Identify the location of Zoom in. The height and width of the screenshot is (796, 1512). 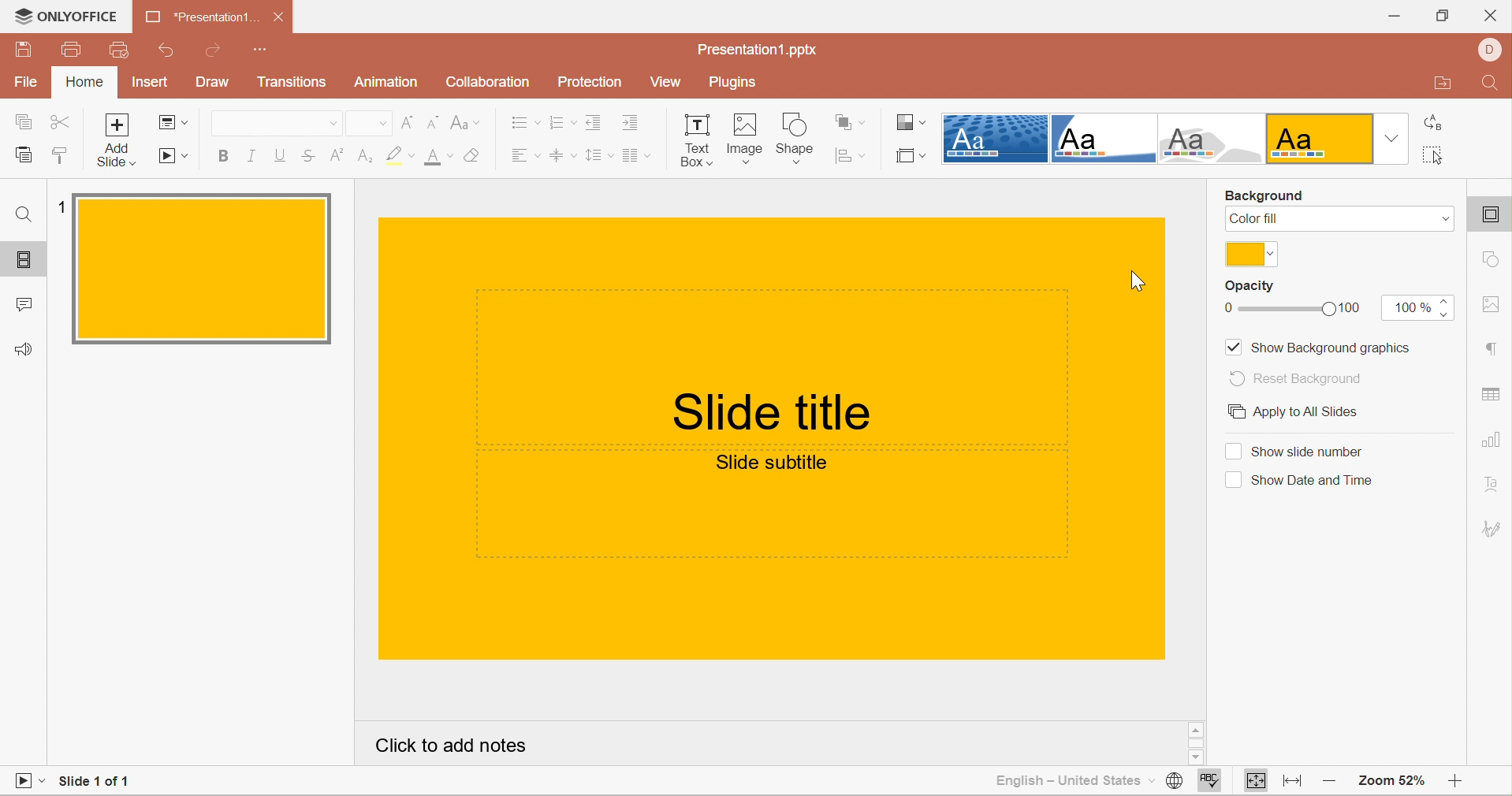
(1454, 784).